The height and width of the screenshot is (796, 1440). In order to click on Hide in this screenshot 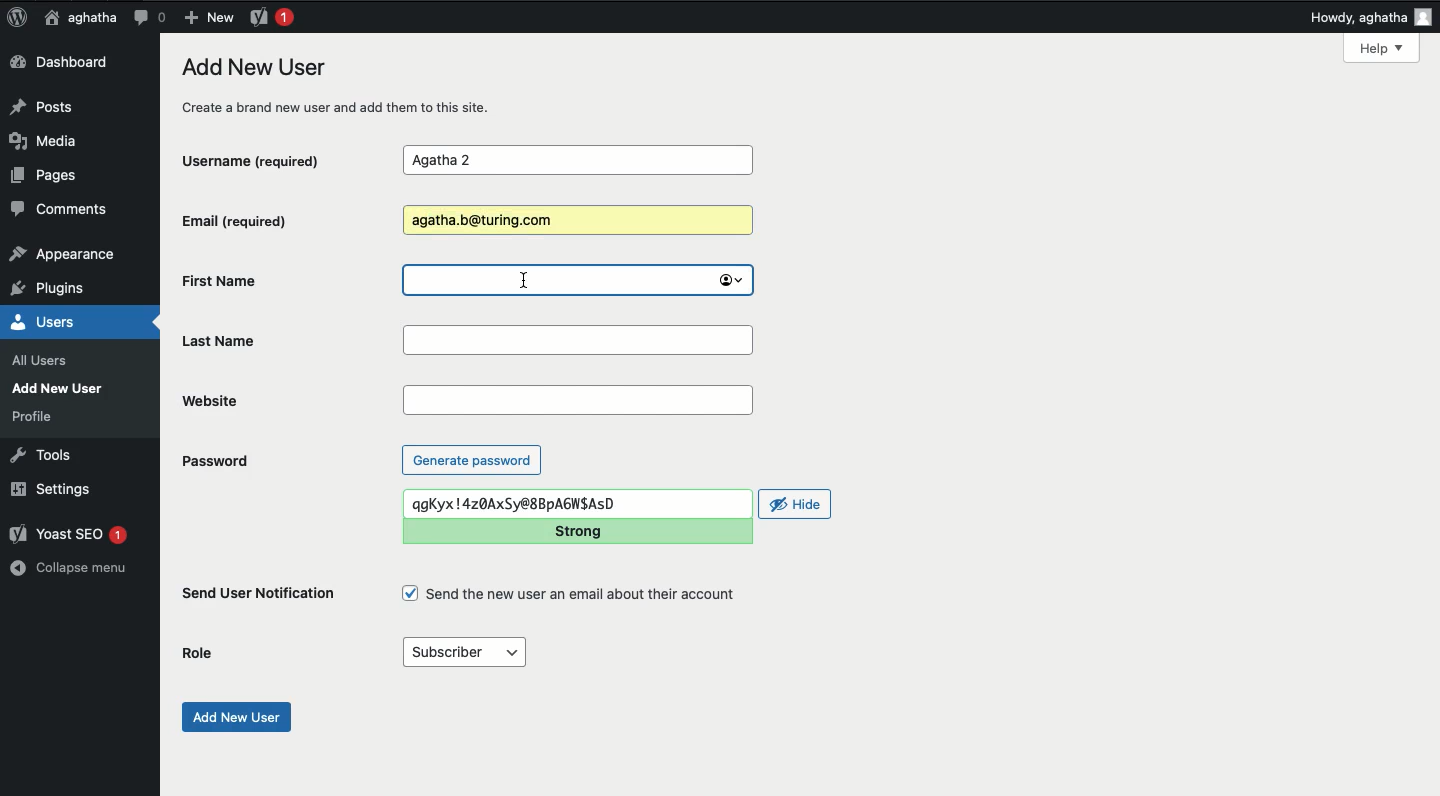, I will do `click(796, 504)`.